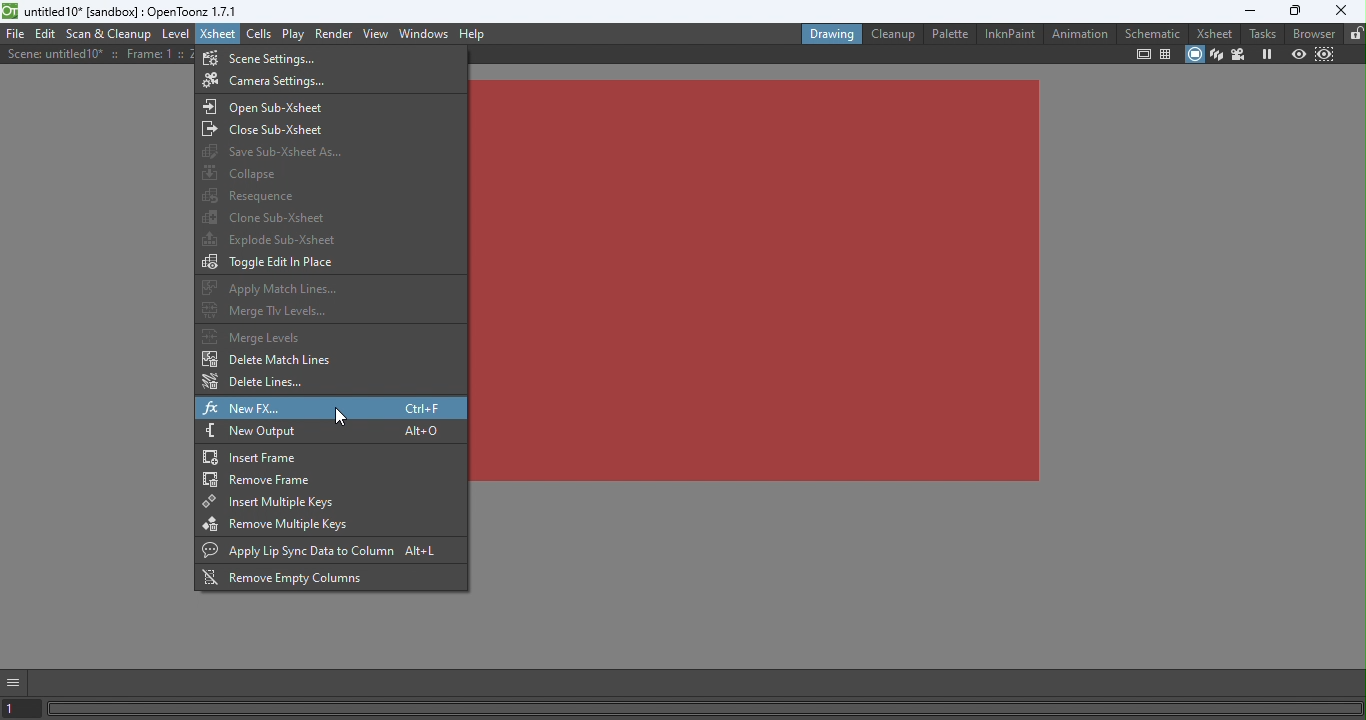 This screenshot has height=720, width=1366. Describe the element at coordinates (257, 382) in the screenshot. I see `Delete lines` at that location.